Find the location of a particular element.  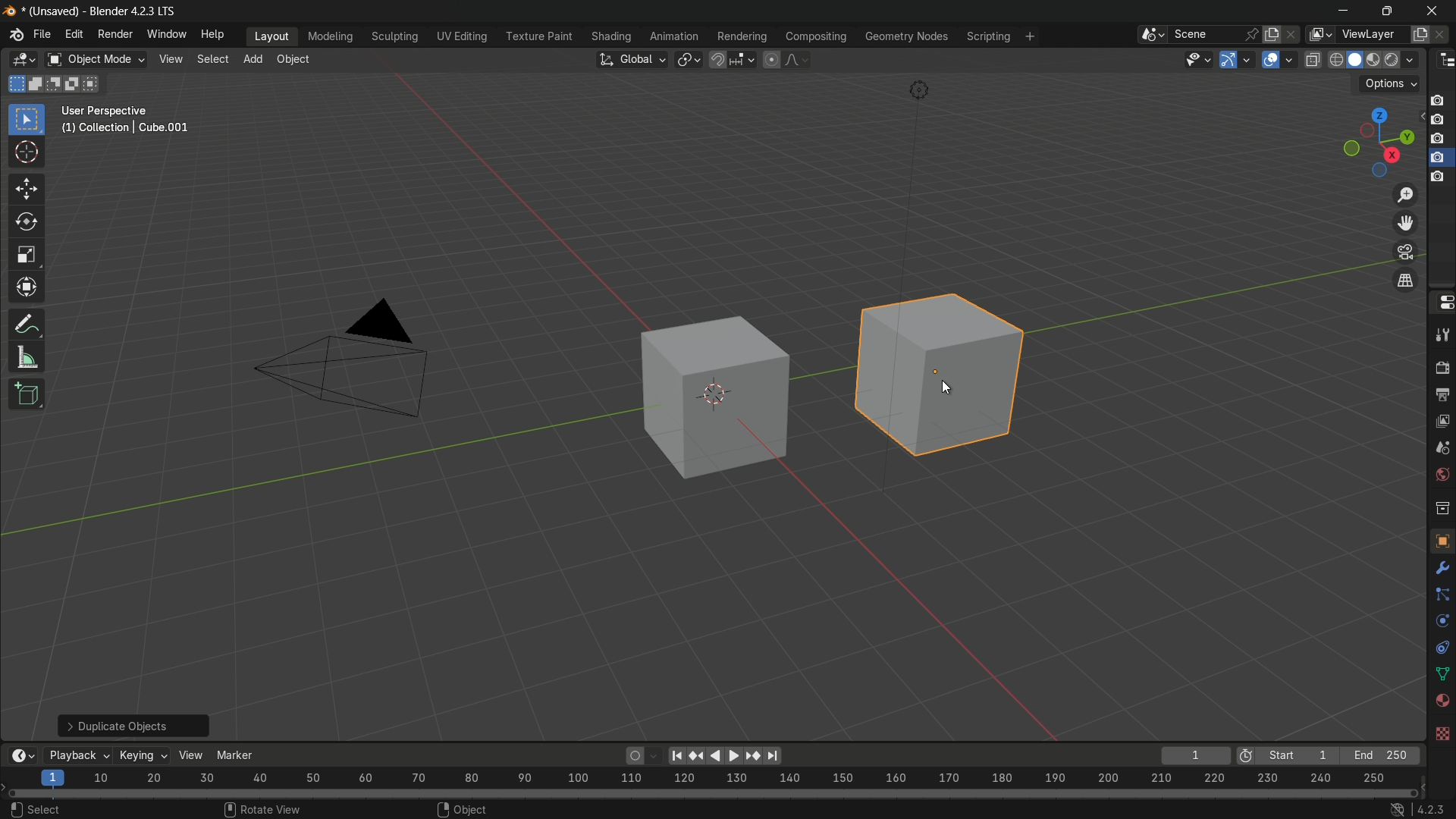

options menu is located at coordinates (1389, 84).